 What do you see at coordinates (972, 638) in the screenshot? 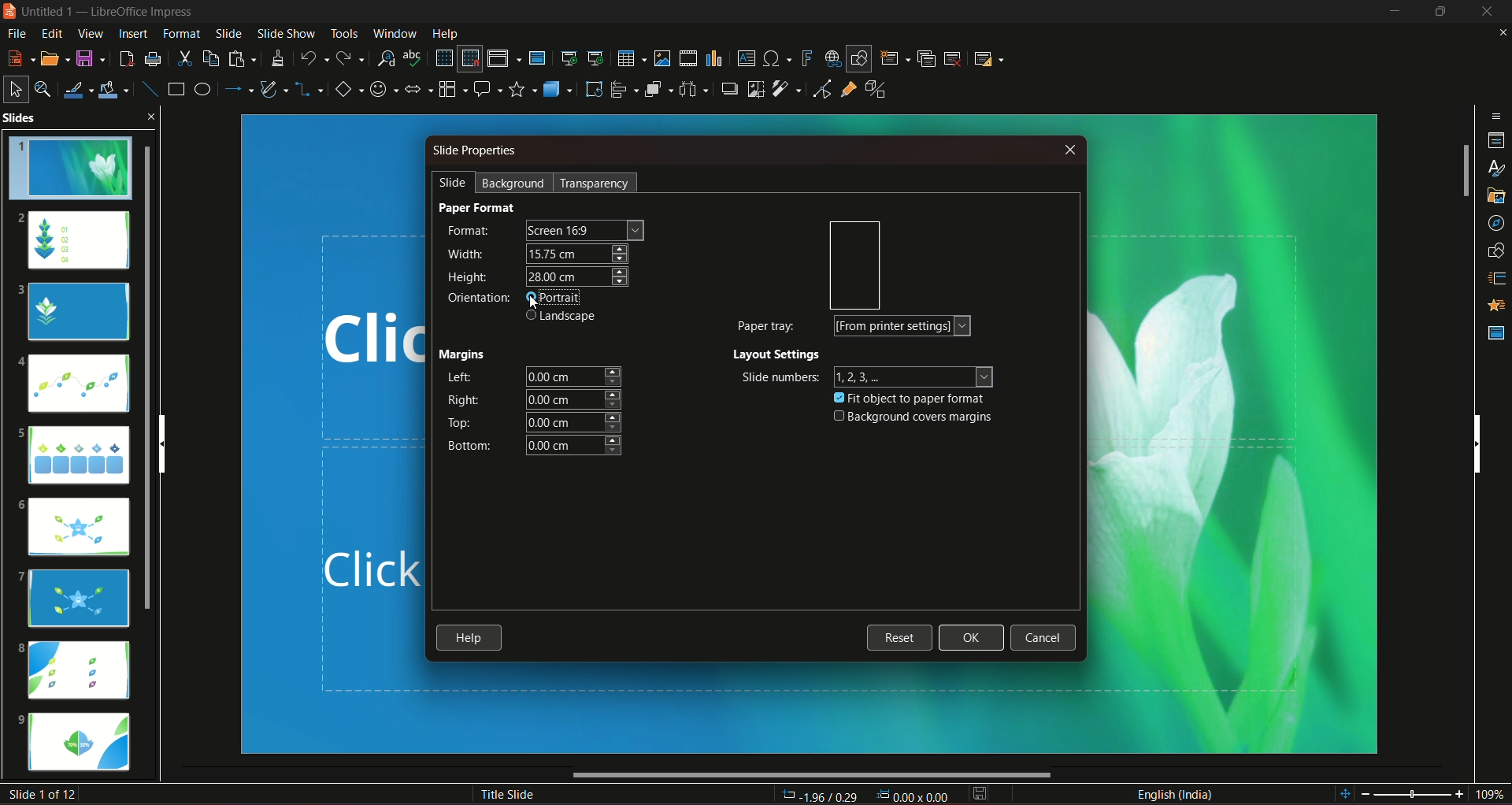
I see `ok` at bounding box center [972, 638].